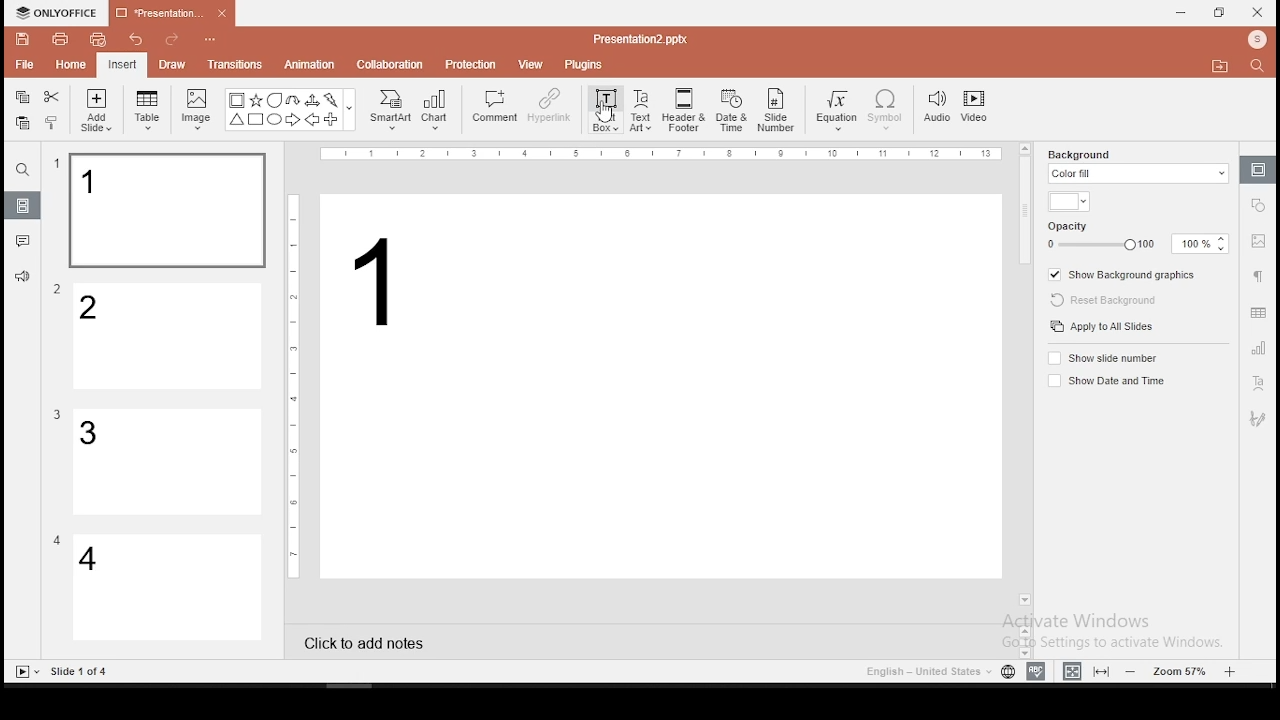 Image resolution: width=1280 pixels, height=720 pixels. Describe the element at coordinates (585, 61) in the screenshot. I see `plugins` at that location.